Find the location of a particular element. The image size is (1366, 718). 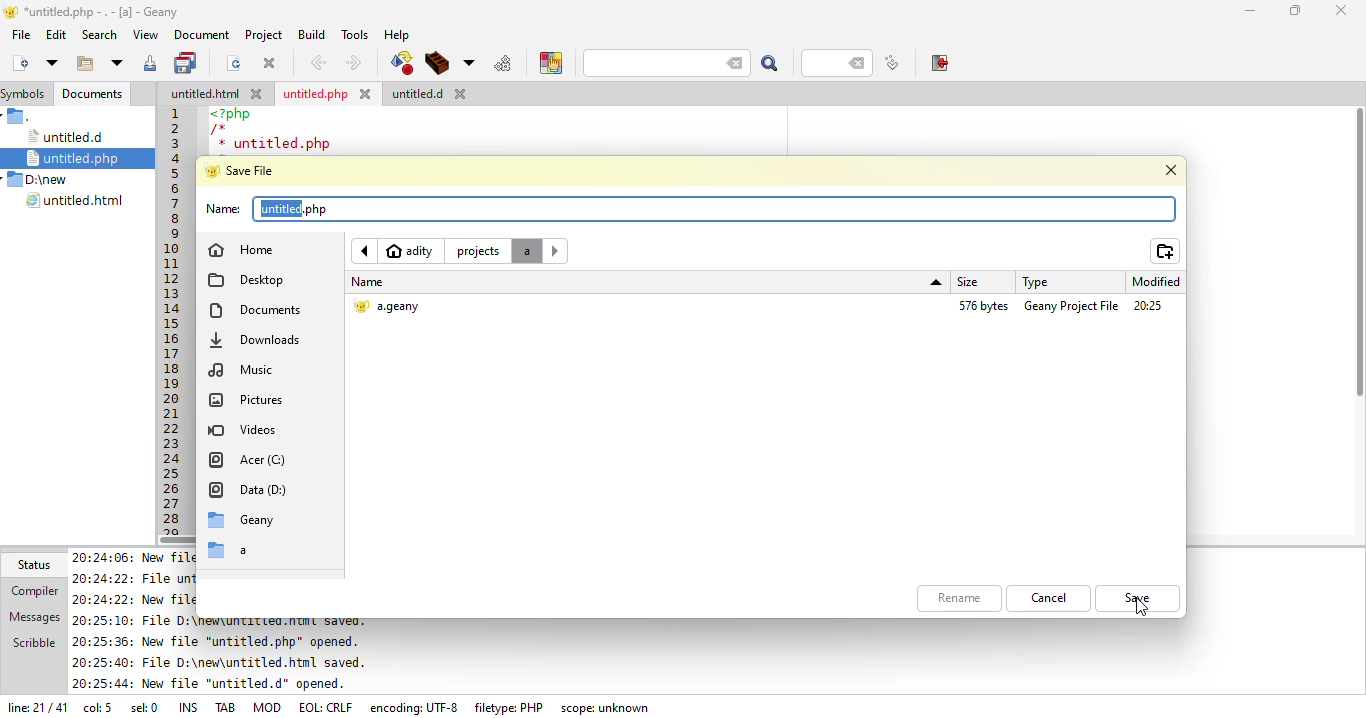

rename is located at coordinates (965, 598).